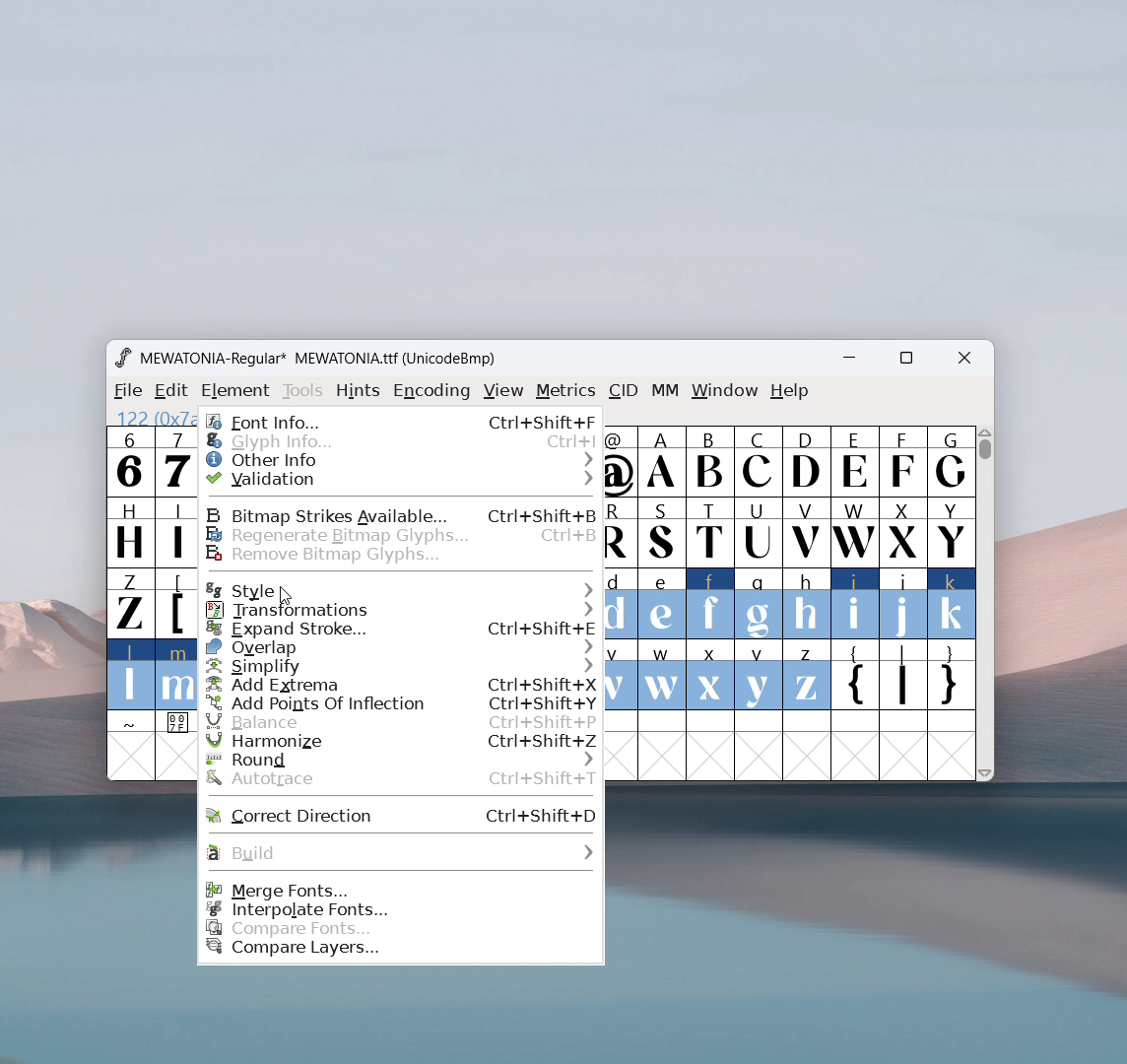 The width and height of the screenshot is (1127, 1064). Describe the element at coordinates (565, 391) in the screenshot. I see `metrics` at that location.